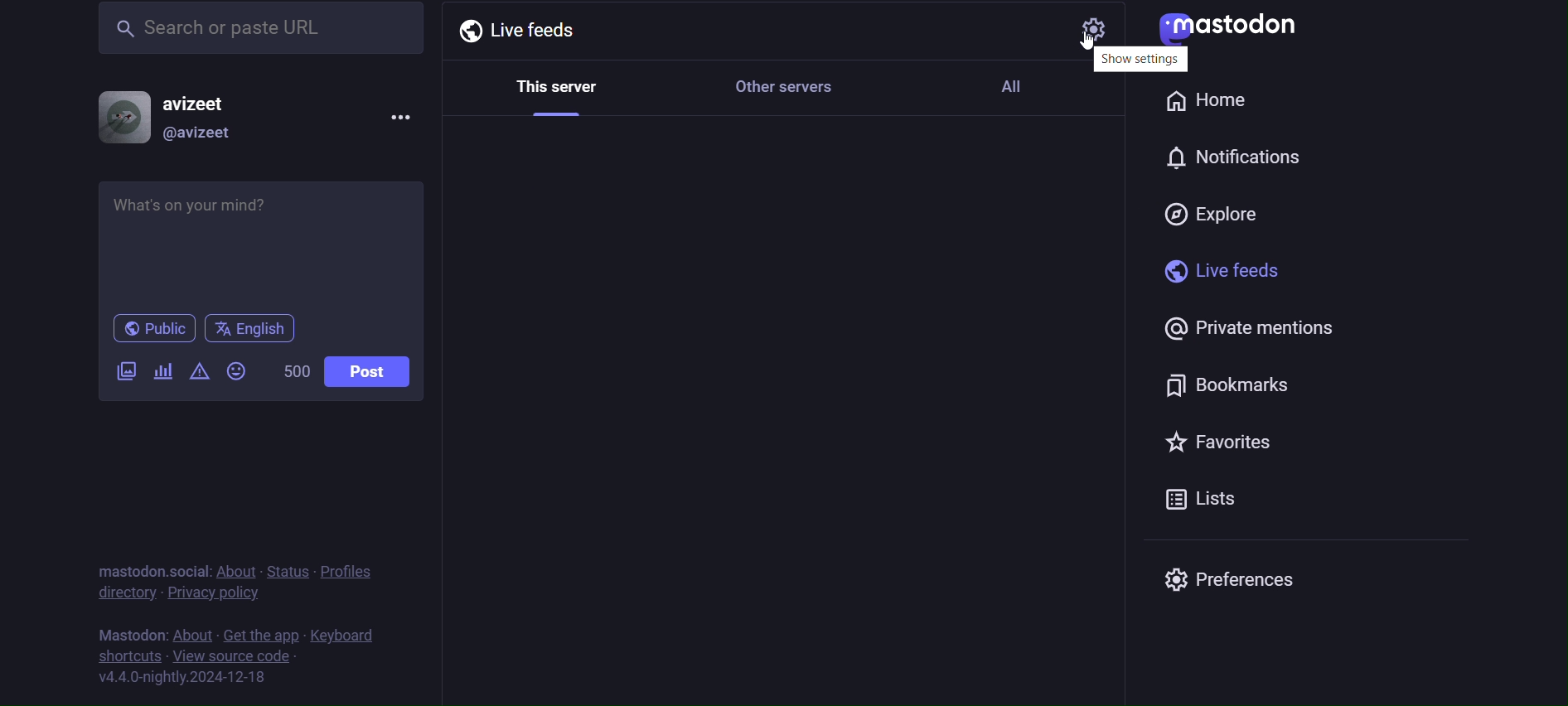  What do you see at coordinates (251, 330) in the screenshot?
I see `english` at bounding box center [251, 330].